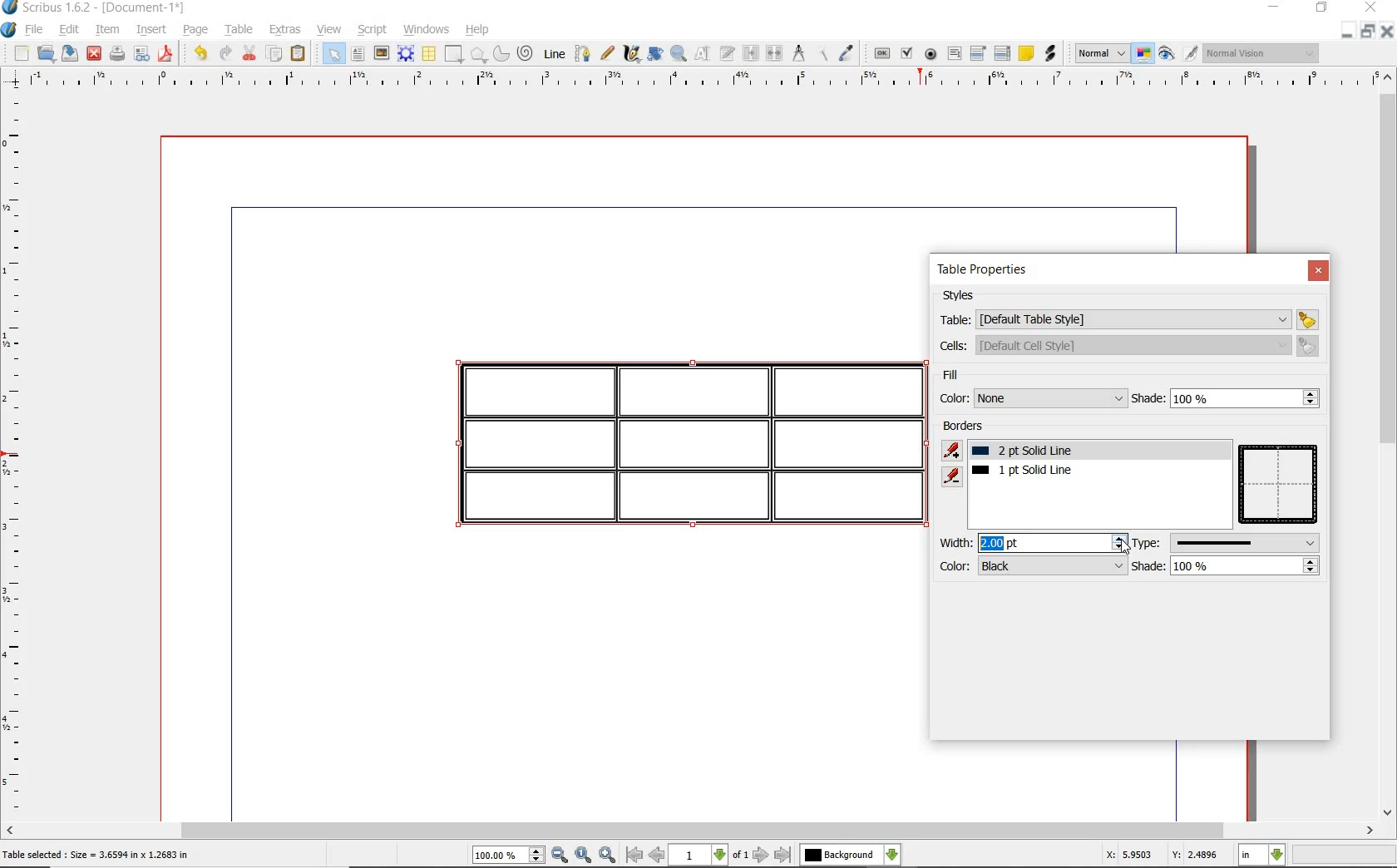 The height and width of the screenshot is (868, 1397). What do you see at coordinates (693, 81) in the screenshot?
I see `ruler` at bounding box center [693, 81].